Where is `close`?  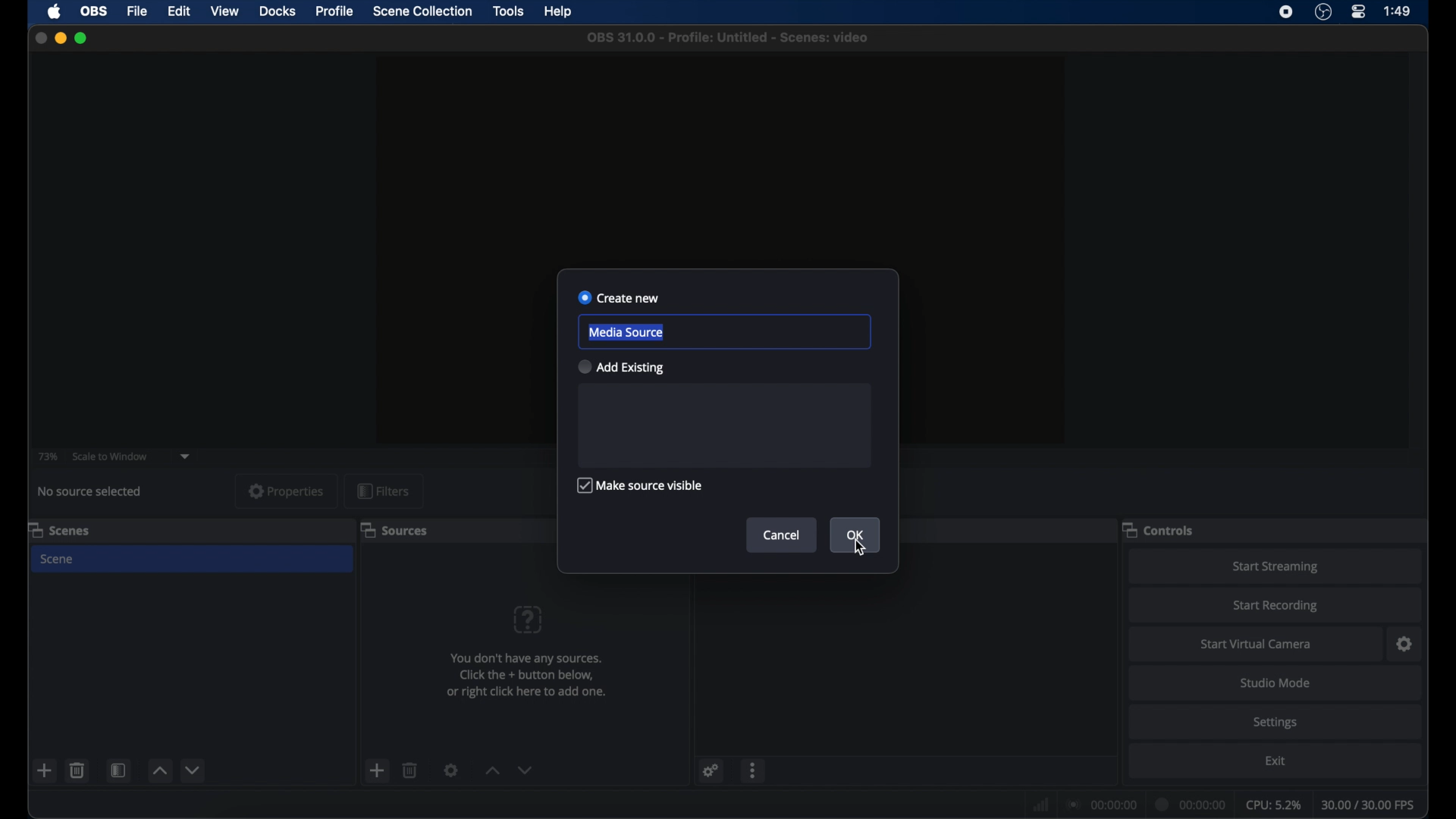
close is located at coordinates (40, 38).